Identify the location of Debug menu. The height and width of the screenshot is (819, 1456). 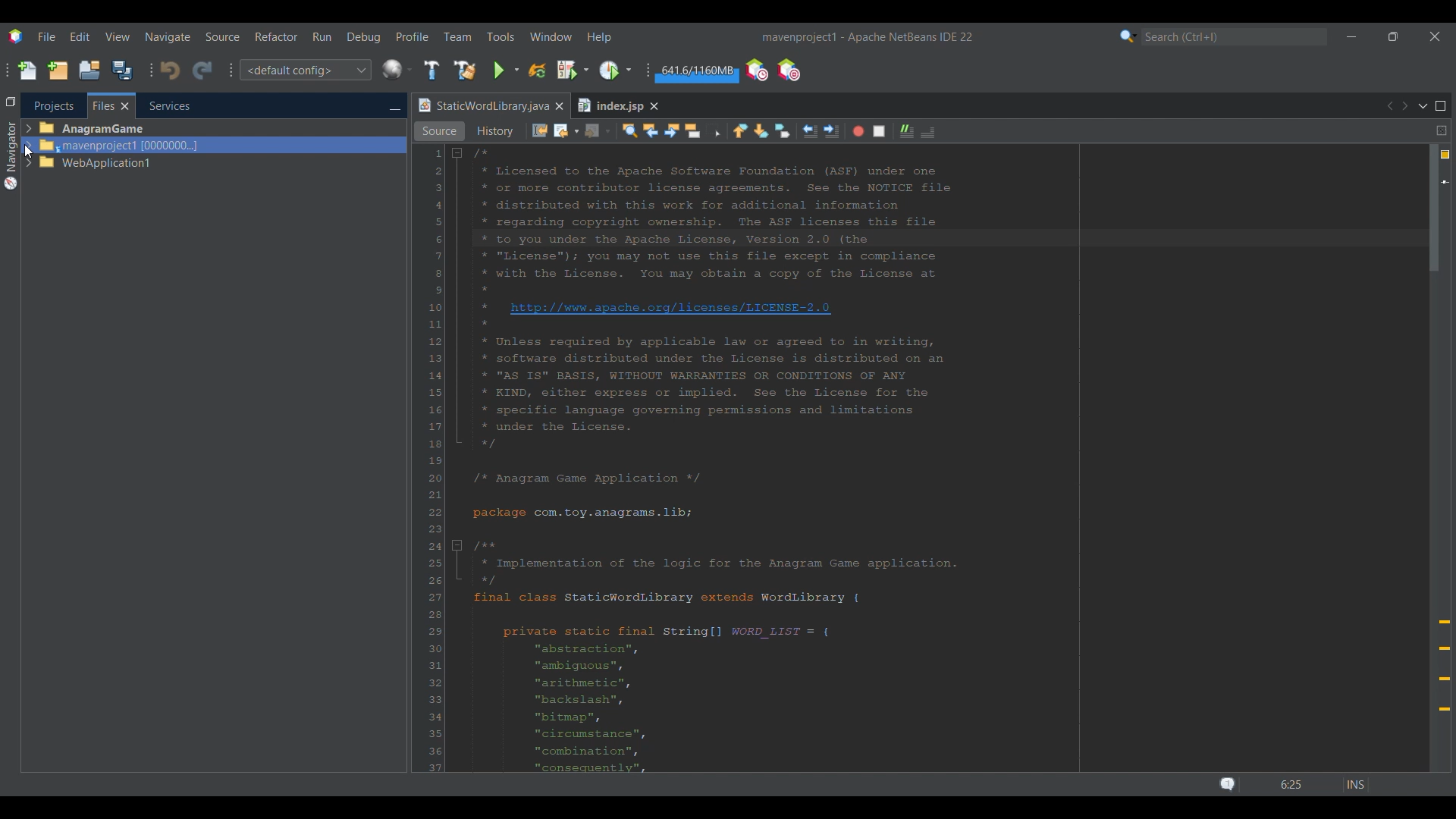
(364, 37).